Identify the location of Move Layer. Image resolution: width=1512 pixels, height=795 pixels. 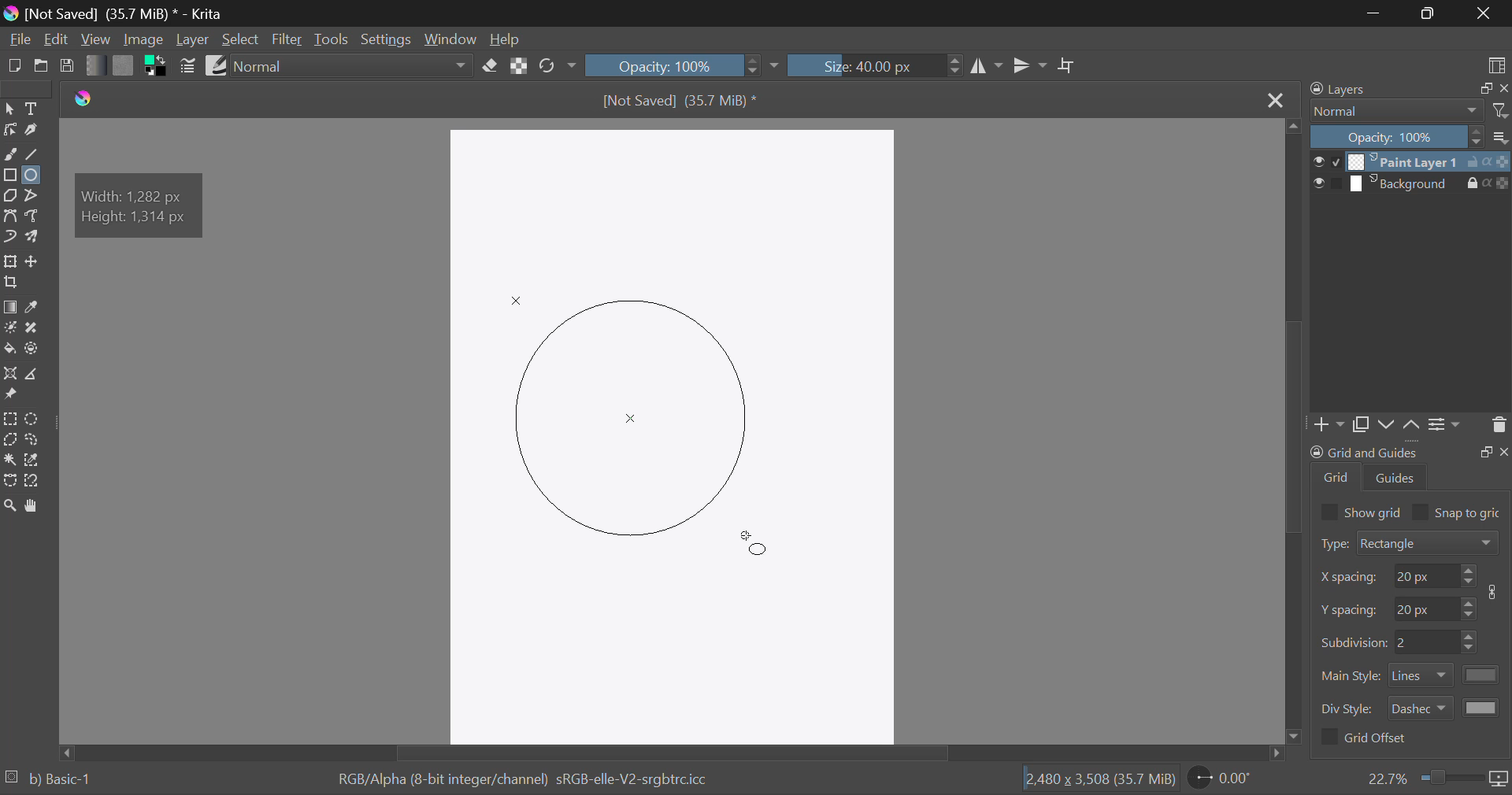
(34, 262).